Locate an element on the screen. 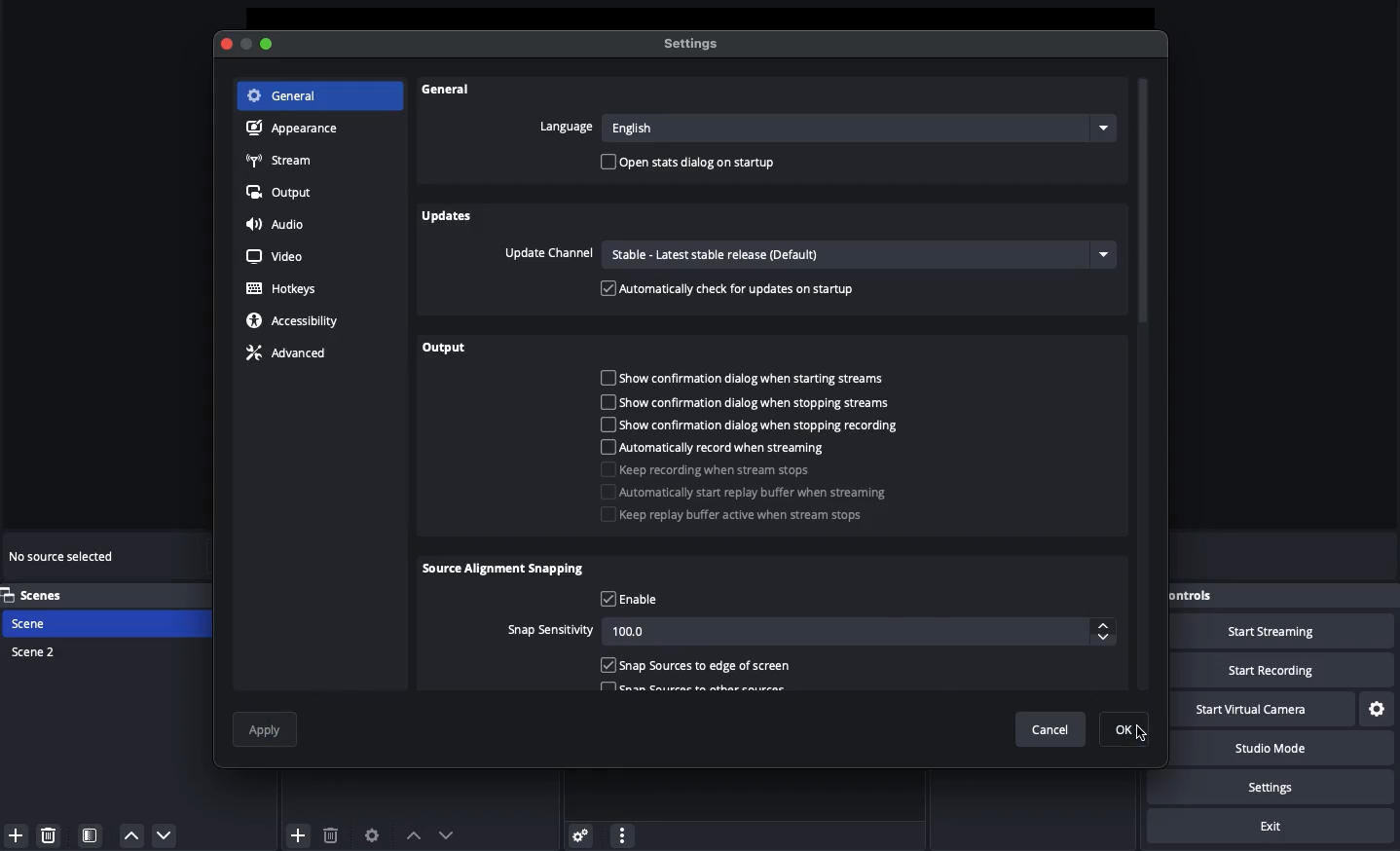  Scene filter is located at coordinates (91, 836).